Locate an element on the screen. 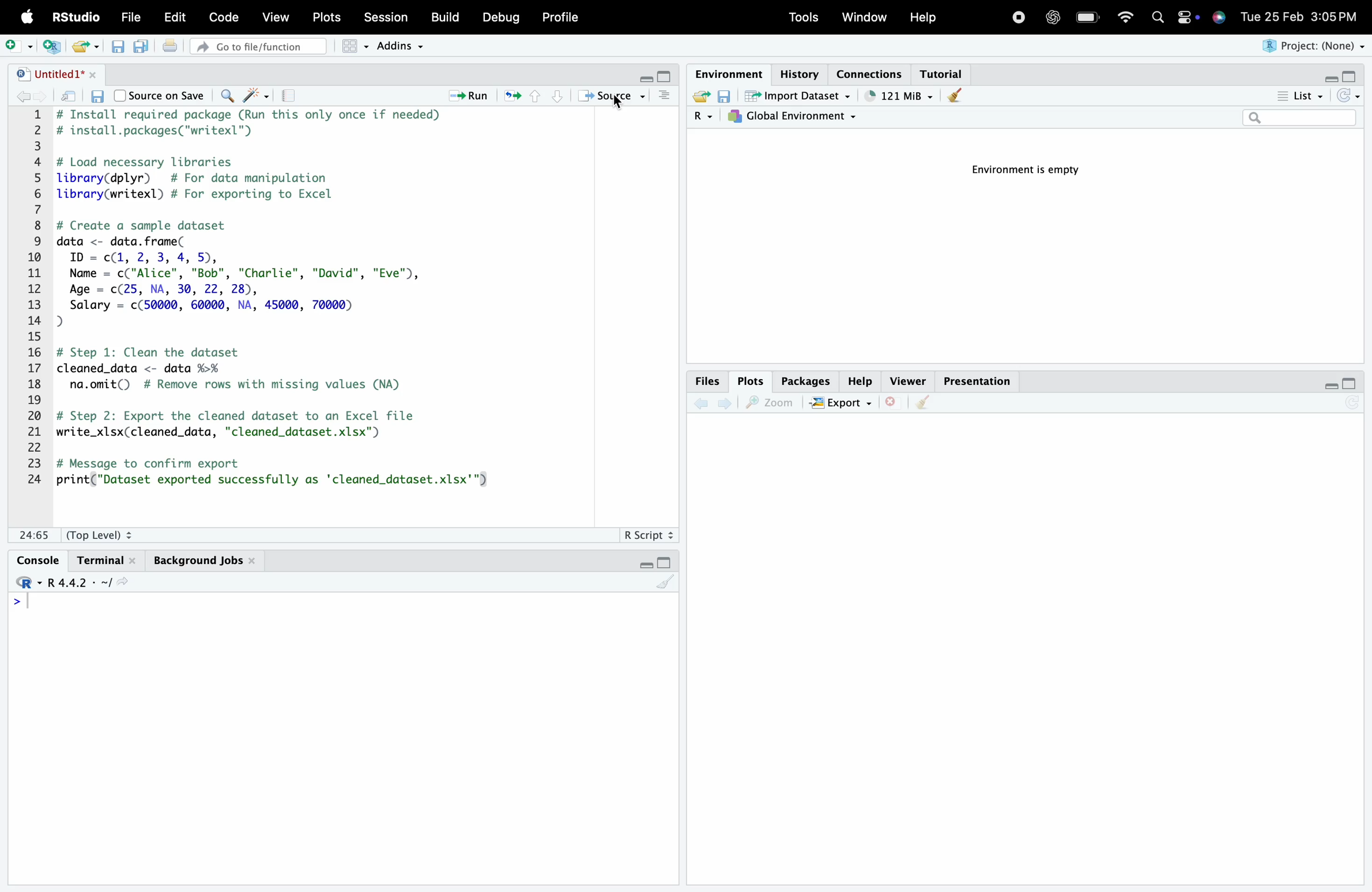 The height and width of the screenshot is (892, 1372). Minimize is located at coordinates (1330, 77).